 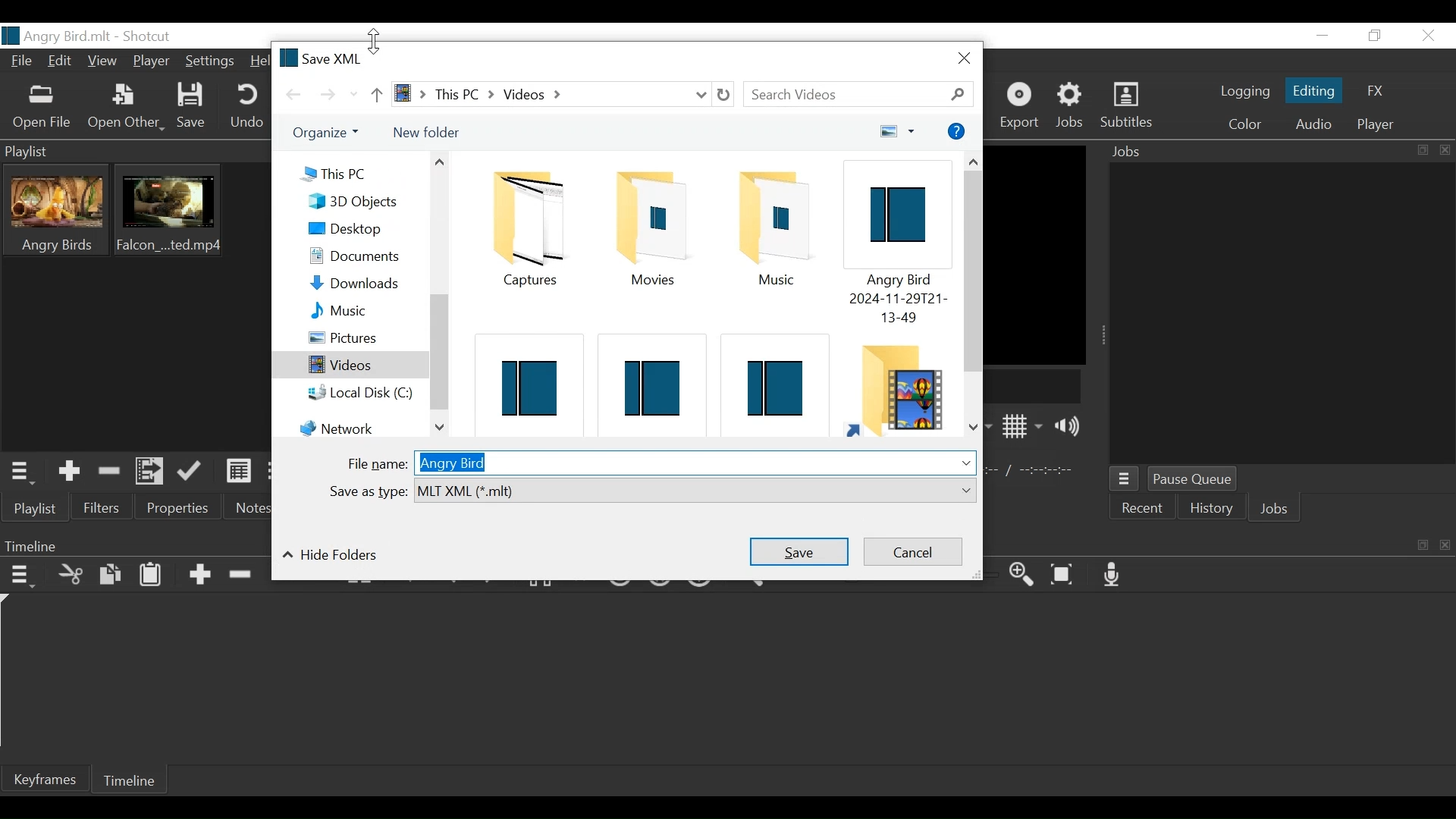 I want to click on Folder, so click(x=648, y=228).